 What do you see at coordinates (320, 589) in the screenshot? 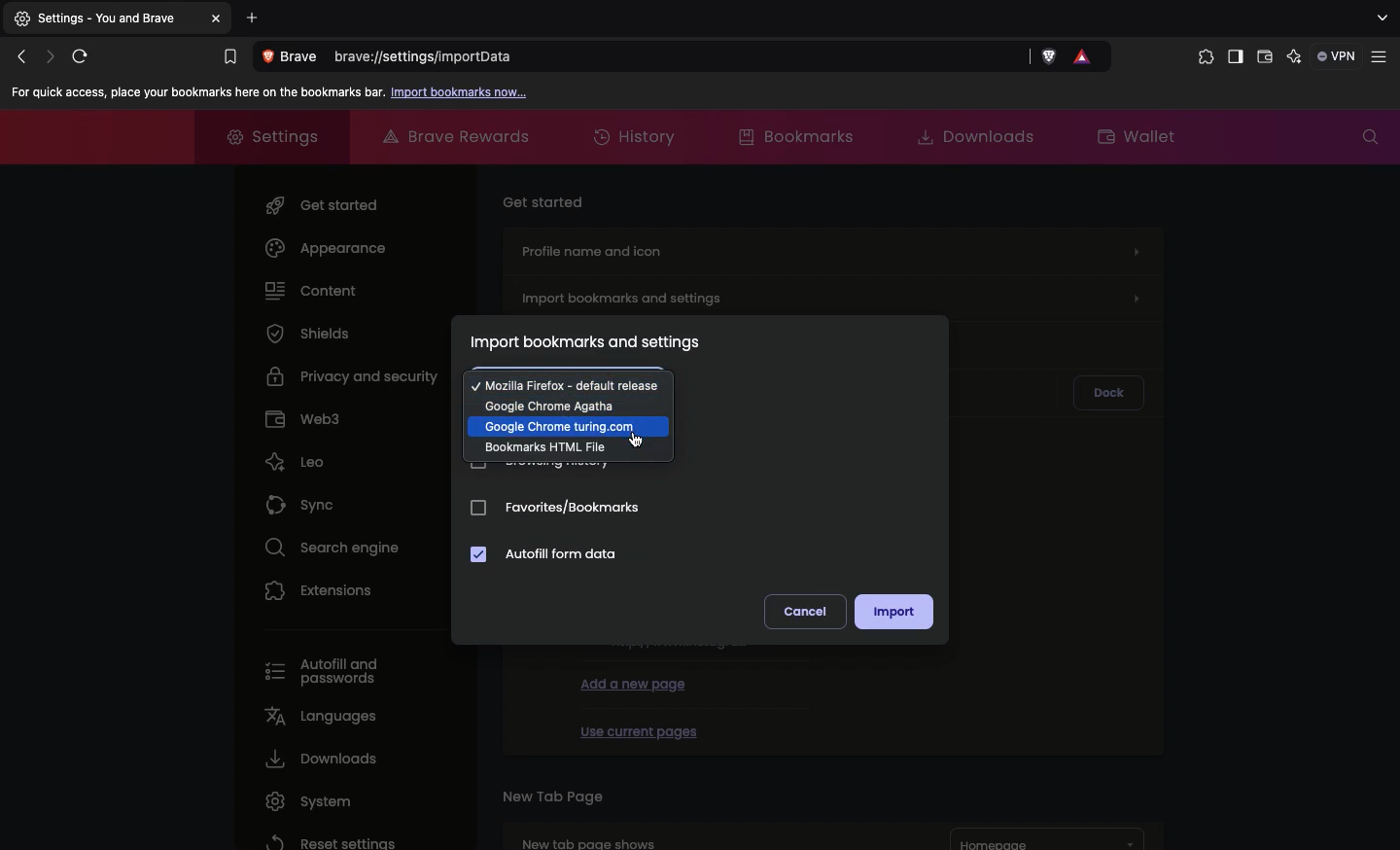
I see `Extensions` at bounding box center [320, 589].